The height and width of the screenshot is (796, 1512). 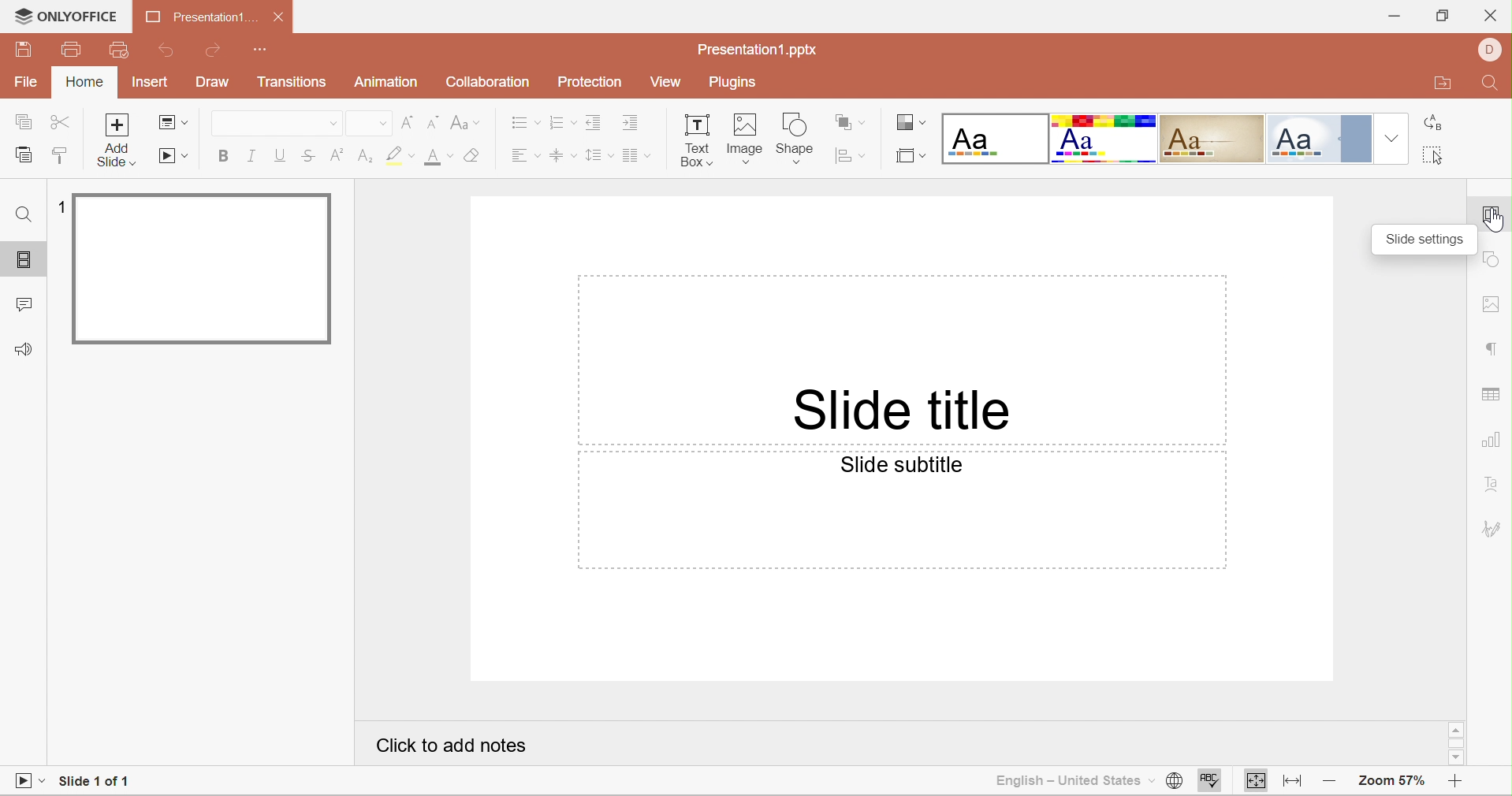 What do you see at coordinates (149, 83) in the screenshot?
I see `Insert` at bounding box center [149, 83].